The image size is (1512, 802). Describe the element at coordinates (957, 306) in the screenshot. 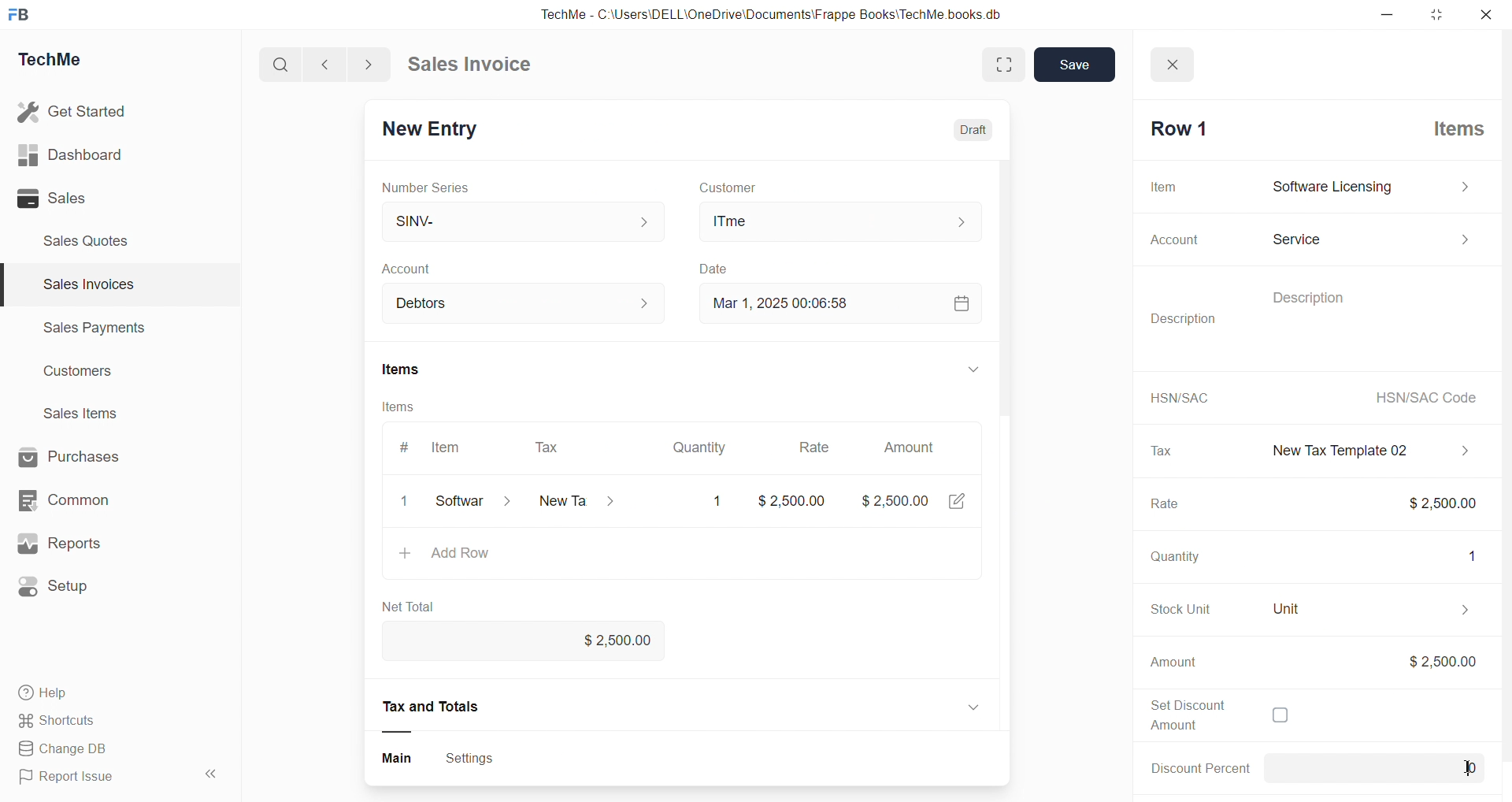

I see `Calendar` at that location.